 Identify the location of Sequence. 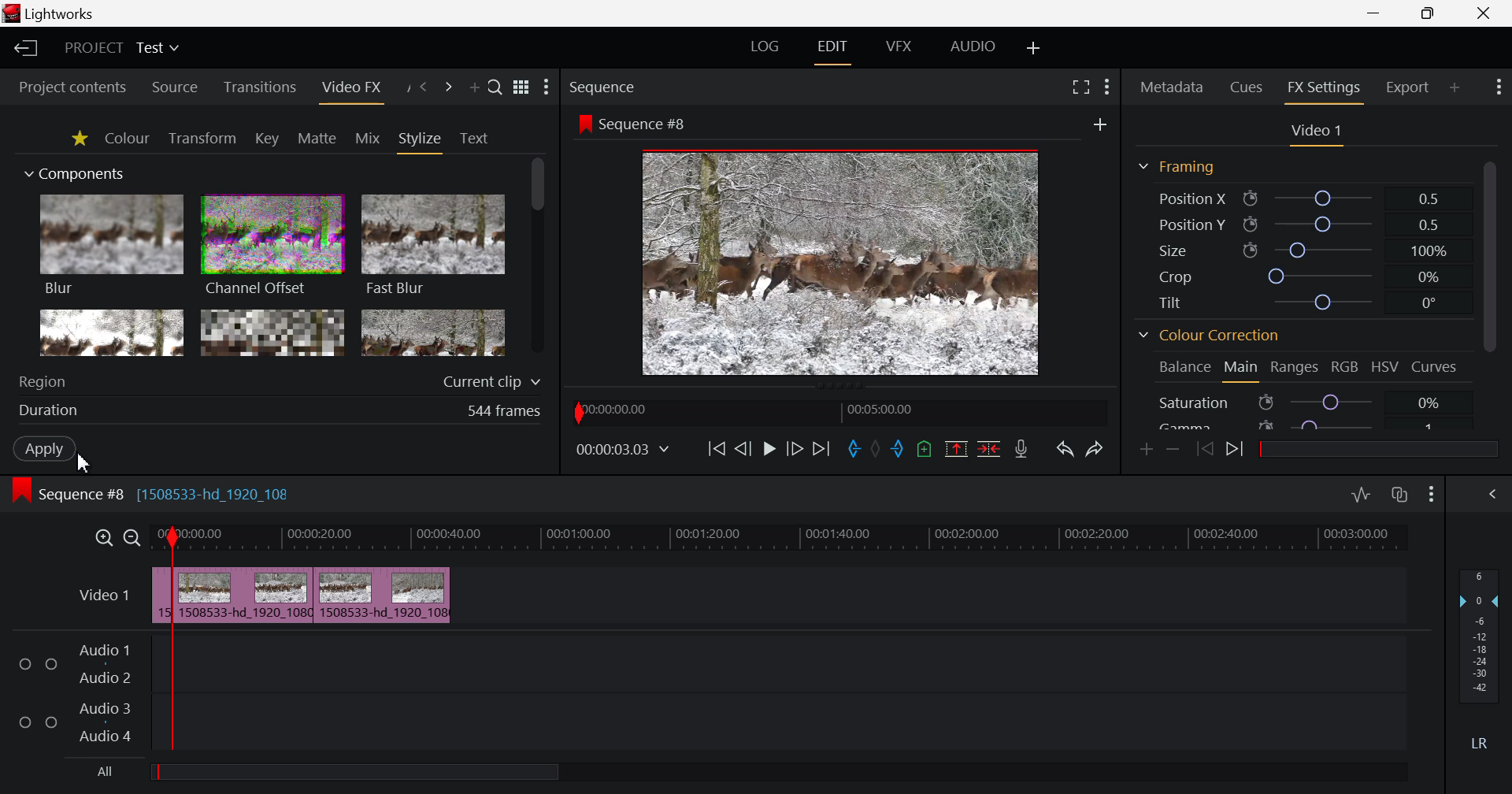
(632, 86).